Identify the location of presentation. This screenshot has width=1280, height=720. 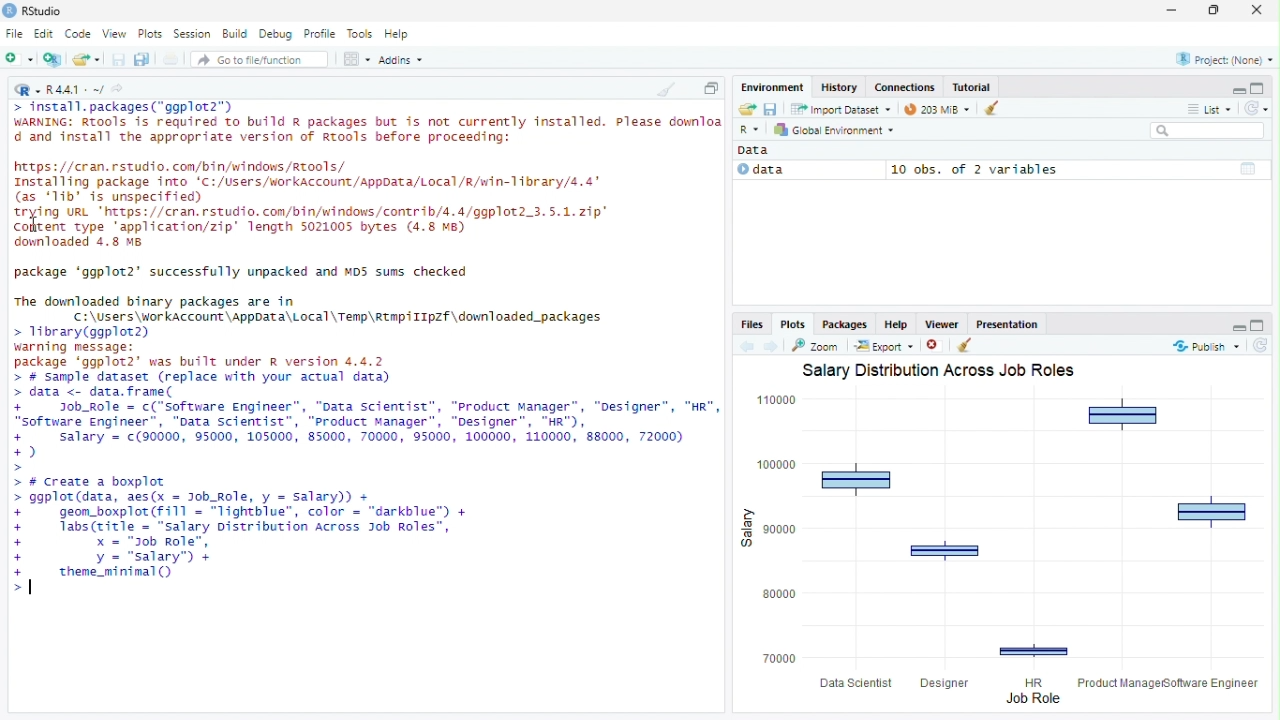
(1010, 324).